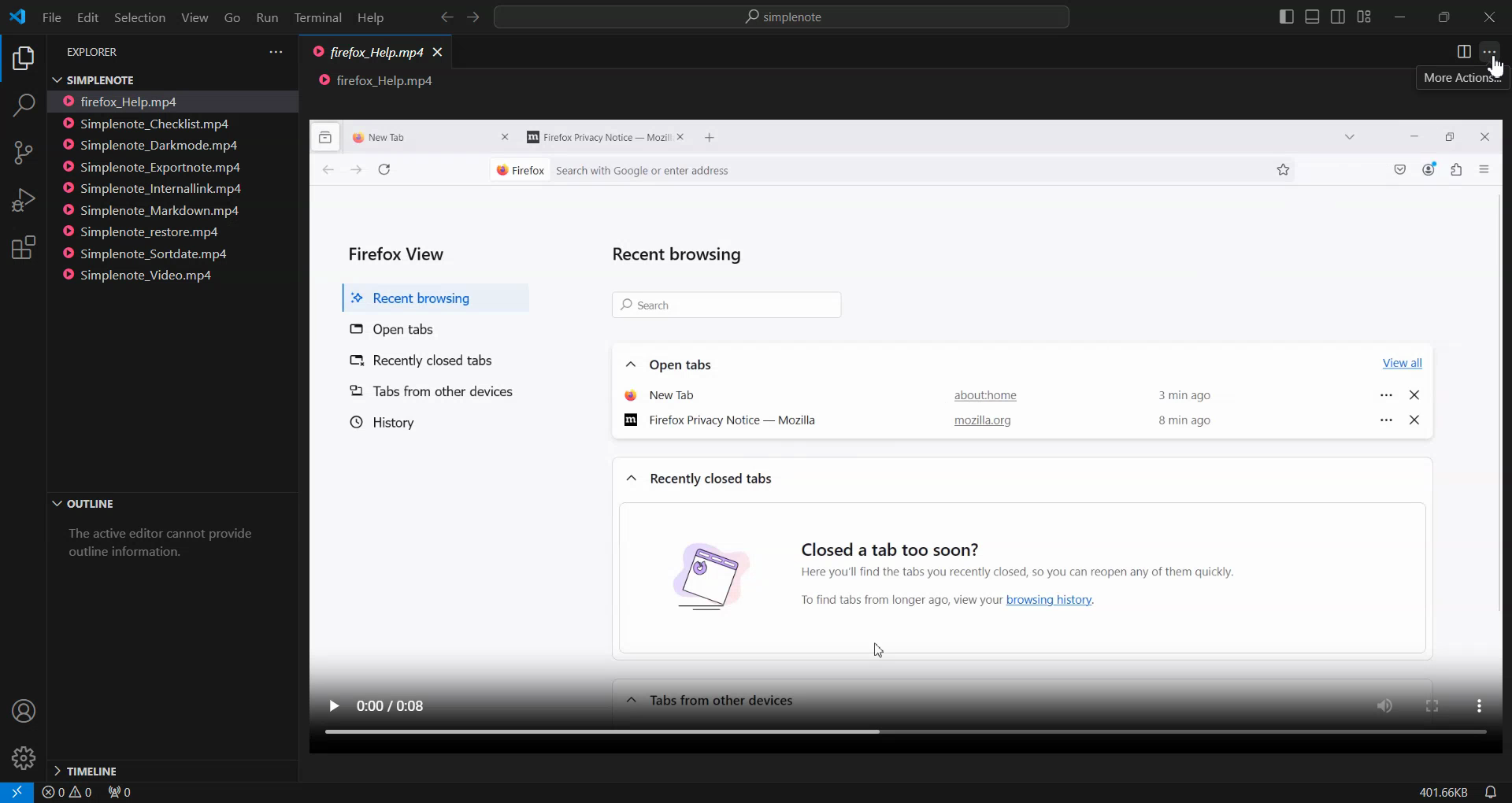 The image size is (1512, 803). What do you see at coordinates (125, 794) in the screenshot?
I see `No Port Forwarded` at bounding box center [125, 794].